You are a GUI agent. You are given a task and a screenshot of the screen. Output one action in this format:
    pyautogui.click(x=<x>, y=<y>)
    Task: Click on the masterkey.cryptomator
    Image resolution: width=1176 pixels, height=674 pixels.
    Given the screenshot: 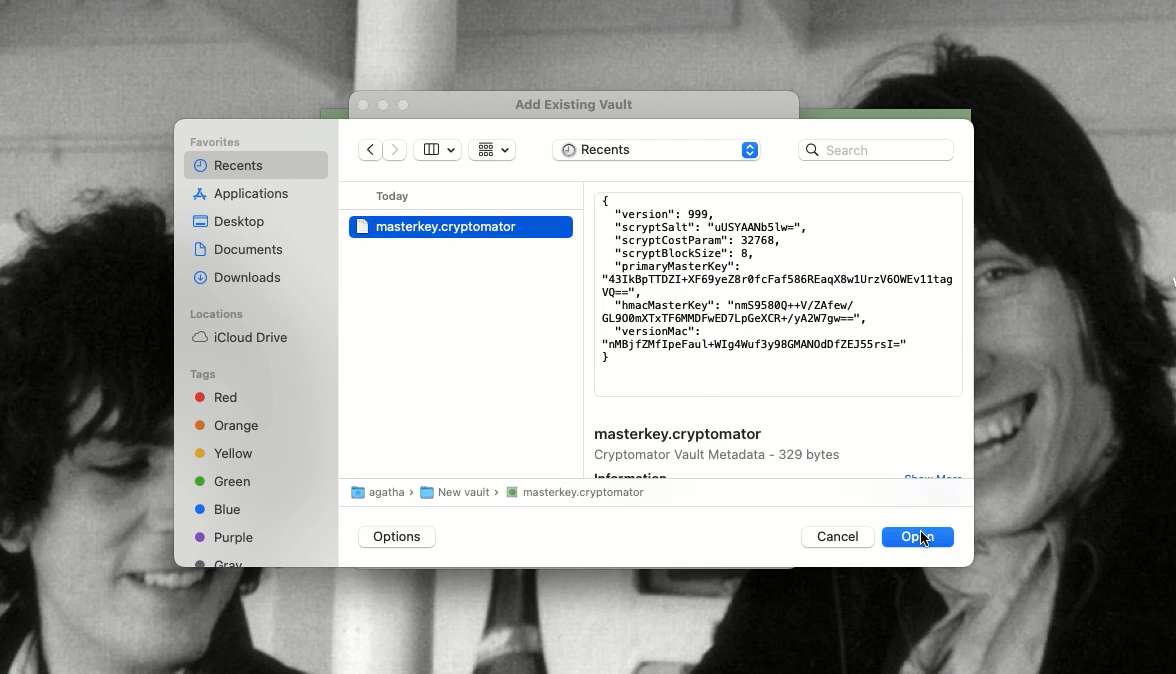 What is the action you would take?
    pyautogui.click(x=679, y=435)
    